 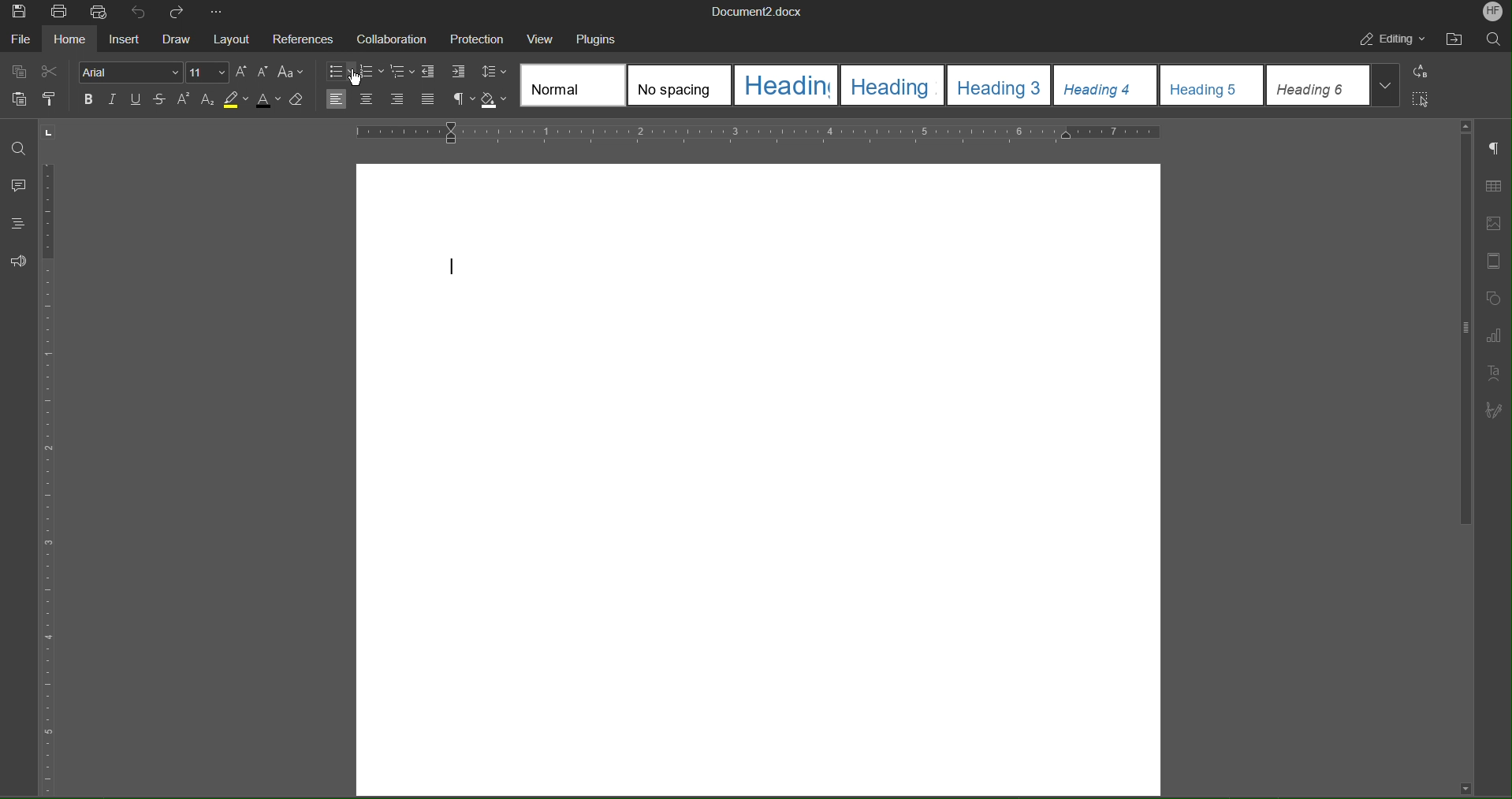 I want to click on Editing, so click(x=1393, y=39).